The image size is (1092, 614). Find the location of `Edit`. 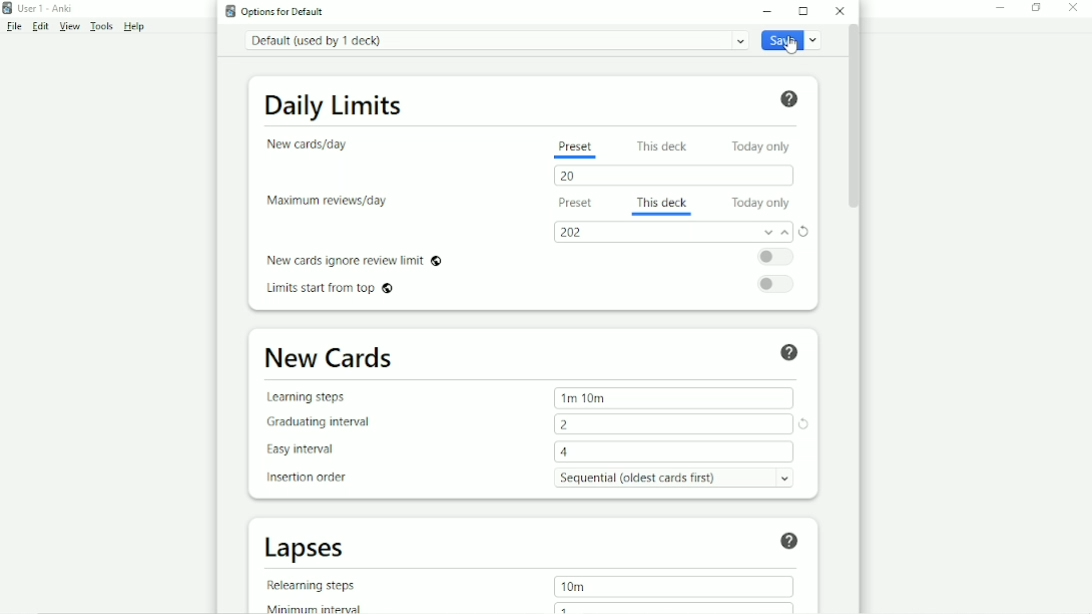

Edit is located at coordinates (40, 25).